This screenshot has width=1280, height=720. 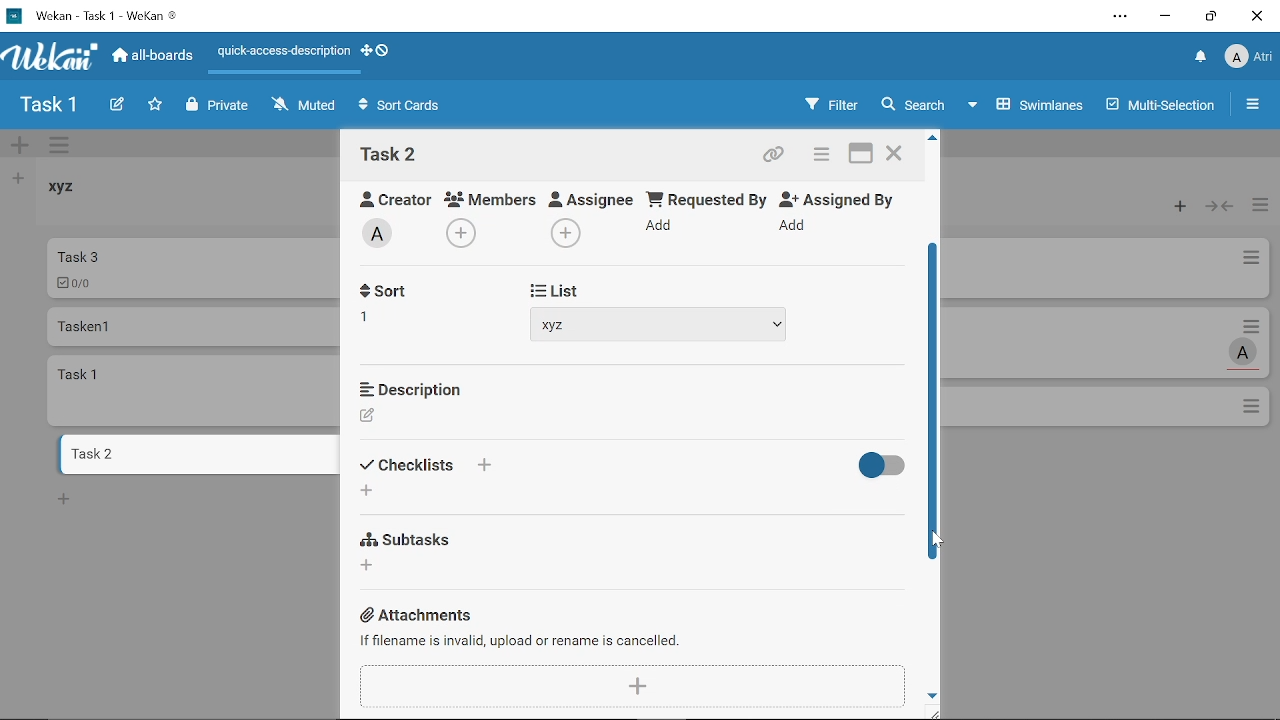 I want to click on Sort Cards, so click(x=404, y=107).